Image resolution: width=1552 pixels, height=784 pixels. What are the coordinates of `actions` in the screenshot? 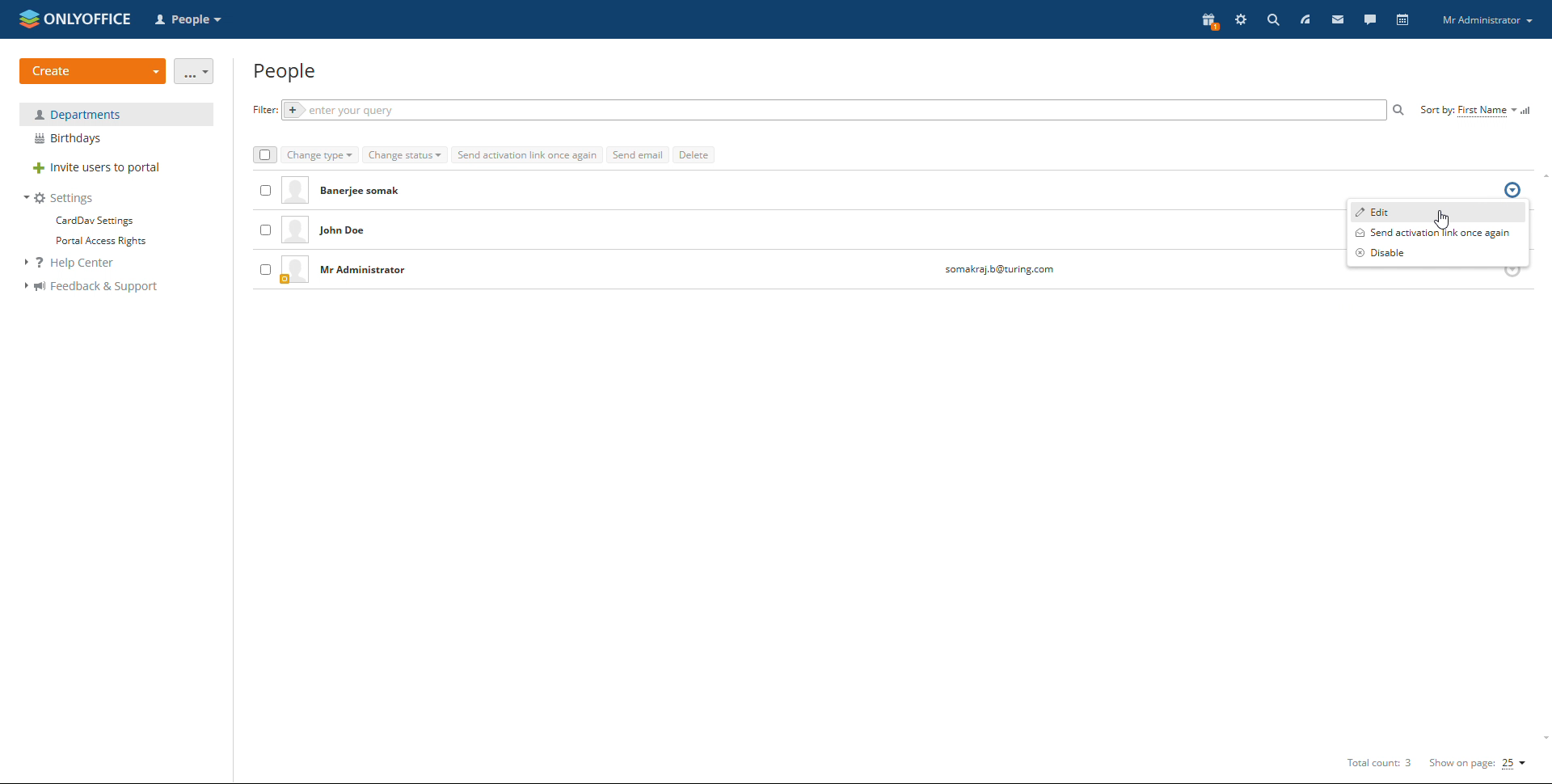 It's located at (1513, 191).